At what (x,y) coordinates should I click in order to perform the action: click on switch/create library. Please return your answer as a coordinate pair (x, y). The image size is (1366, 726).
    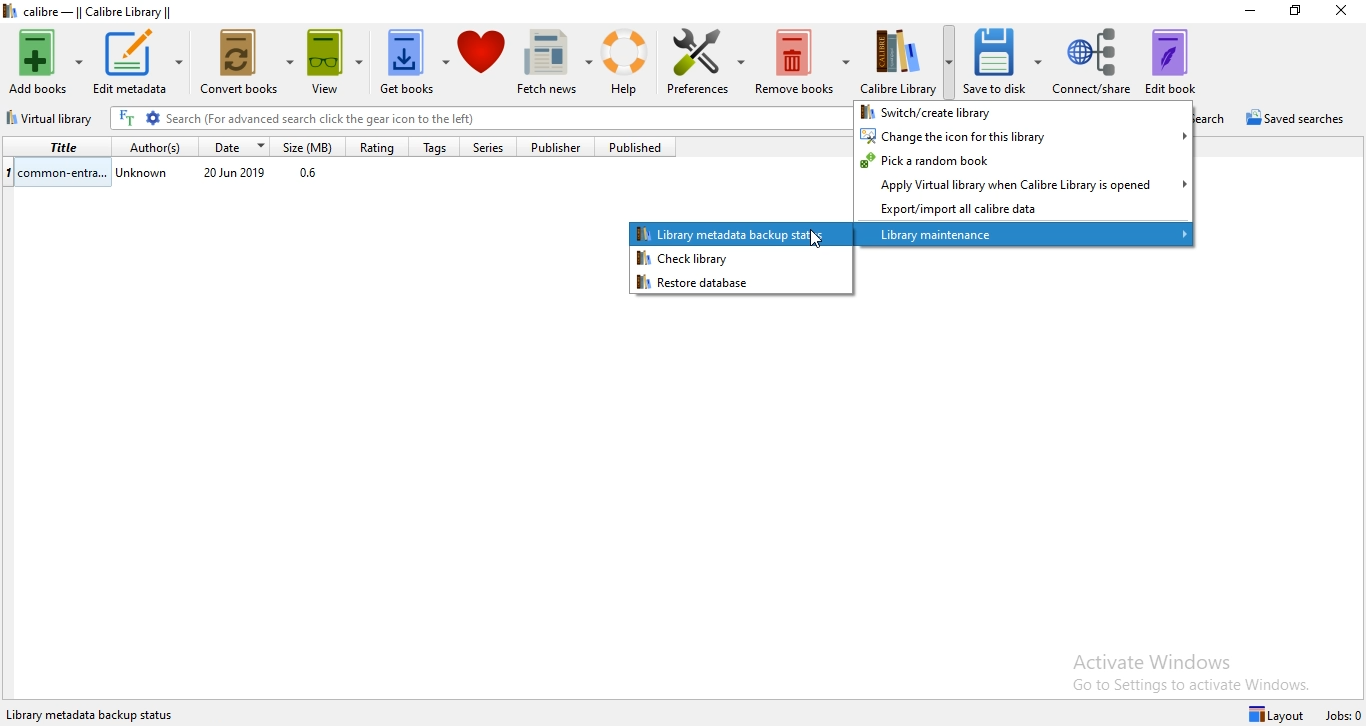
    Looking at the image, I should click on (1021, 111).